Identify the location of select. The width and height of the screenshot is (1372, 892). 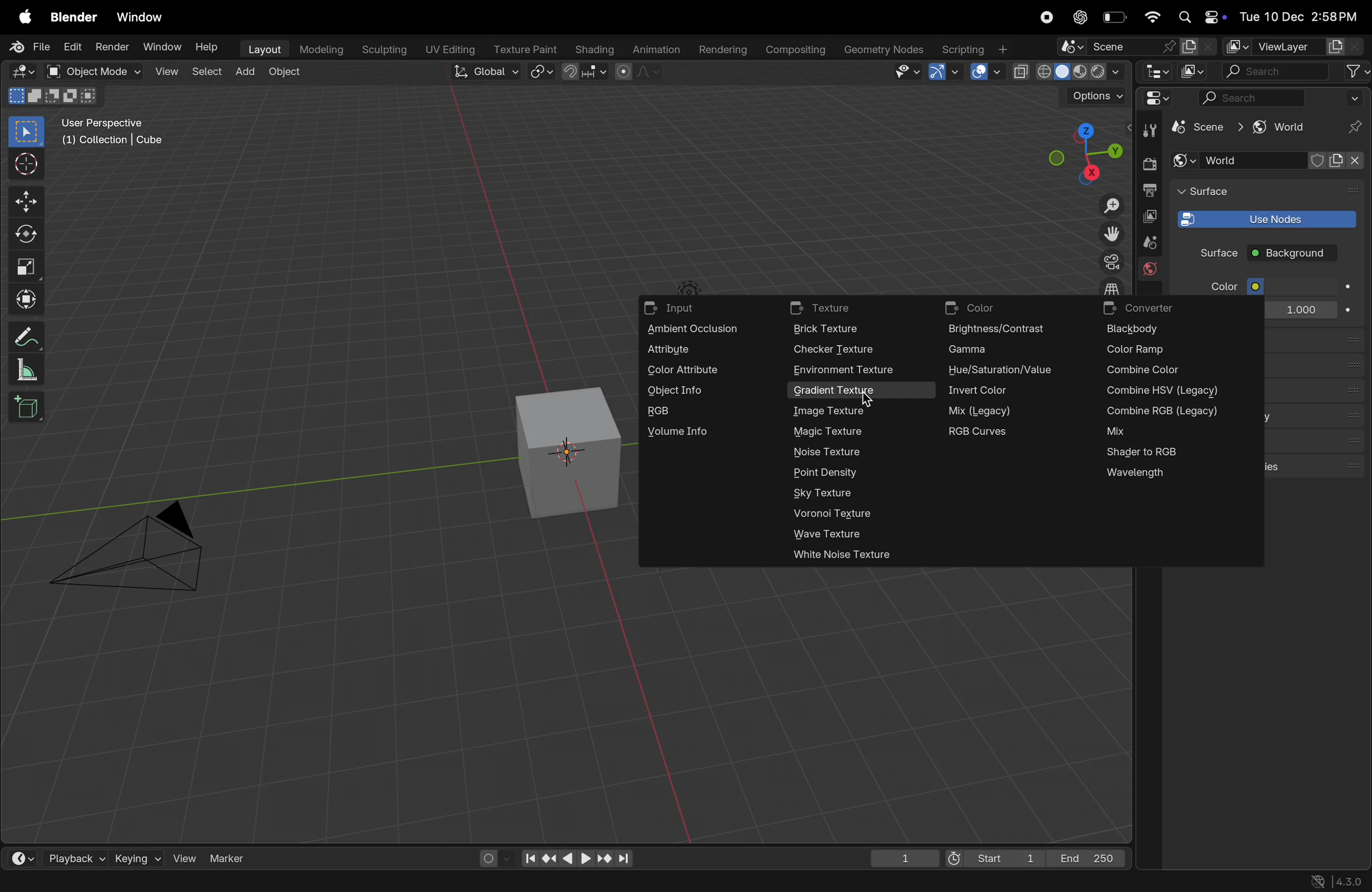
(205, 72).